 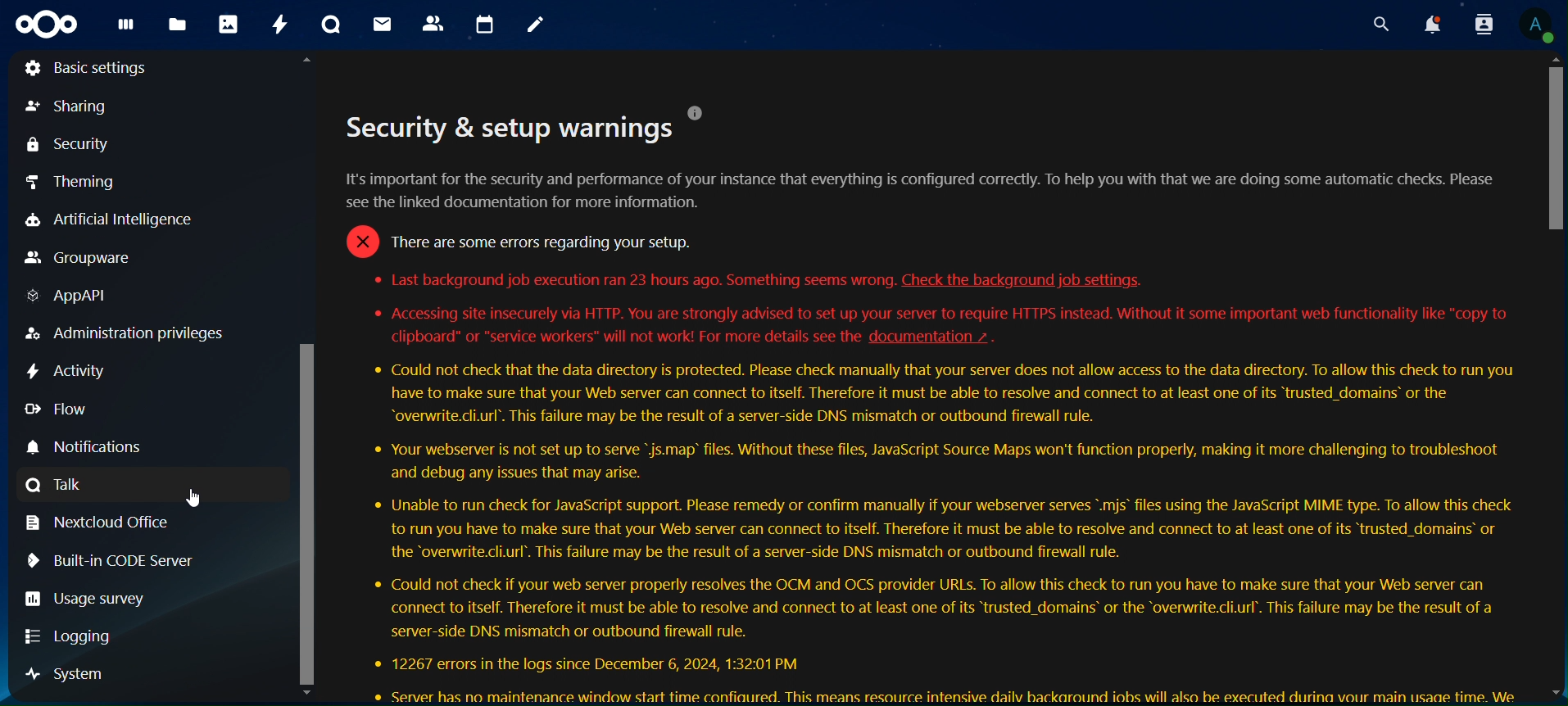 What do you see at coordinates (934, 461) in the screenshot?
I see `* Your webserver is not set up to serve "js.map’ files. Without these files, JavaScript Source Maps won't function properly, making it more challenging to troubleshoot
and debug any issues that may arise.` at bounding box center [934, 461].